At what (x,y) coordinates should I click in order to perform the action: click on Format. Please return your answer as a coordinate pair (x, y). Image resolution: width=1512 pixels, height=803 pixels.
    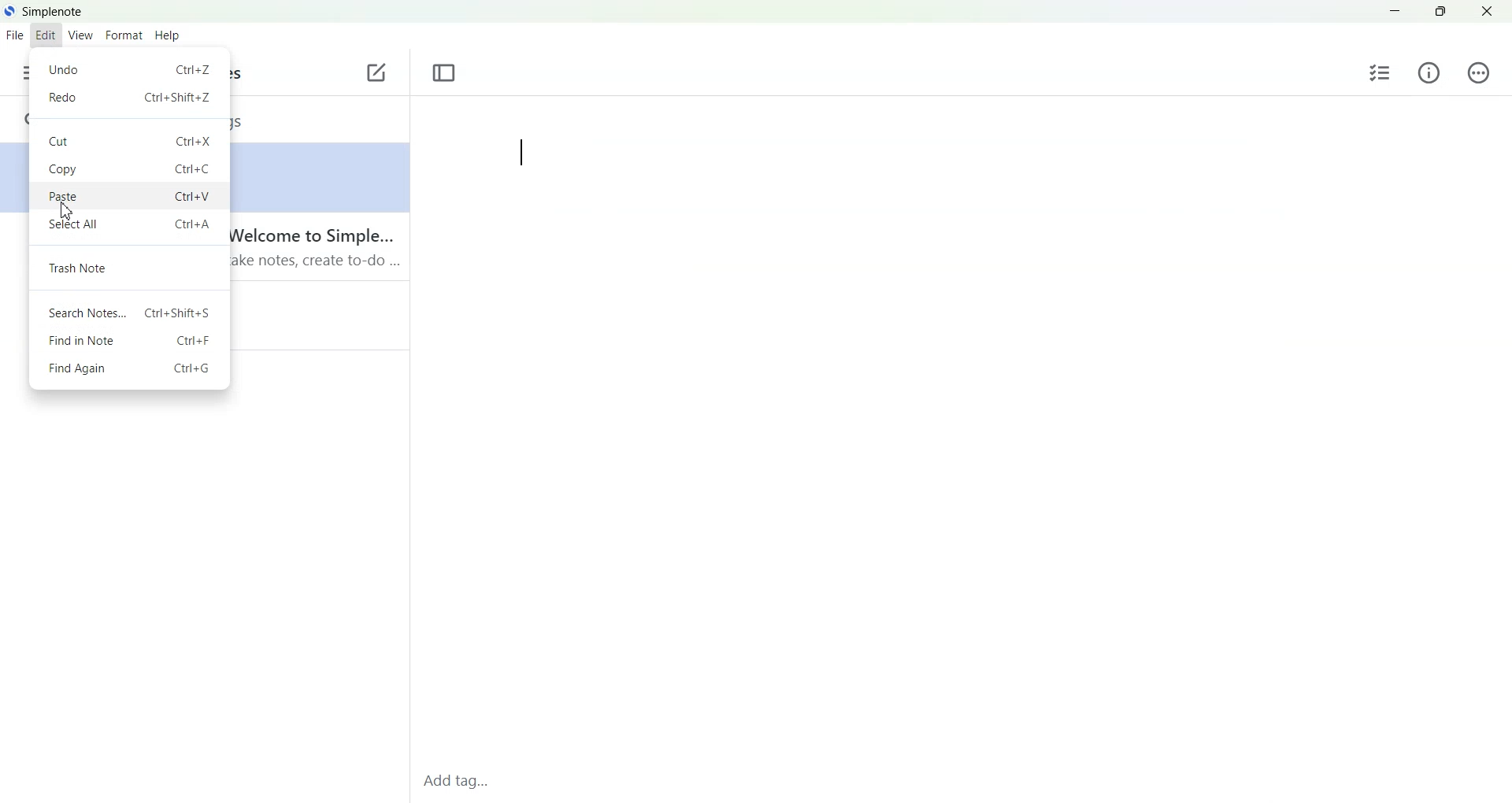
    Looking at the image, I should click on (123, 36).